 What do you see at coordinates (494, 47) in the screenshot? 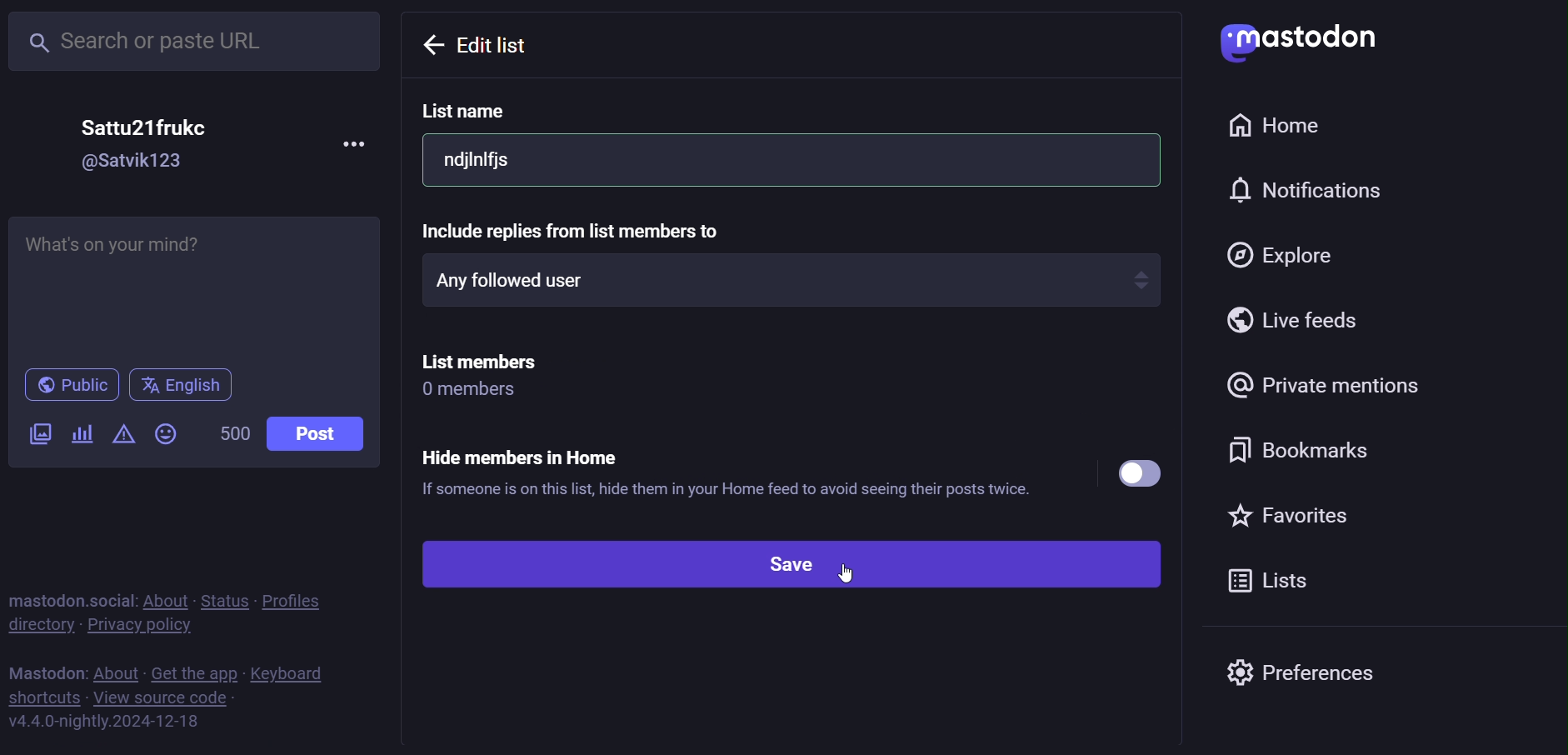
I see `Edit list` at bounding box center [494, 47].